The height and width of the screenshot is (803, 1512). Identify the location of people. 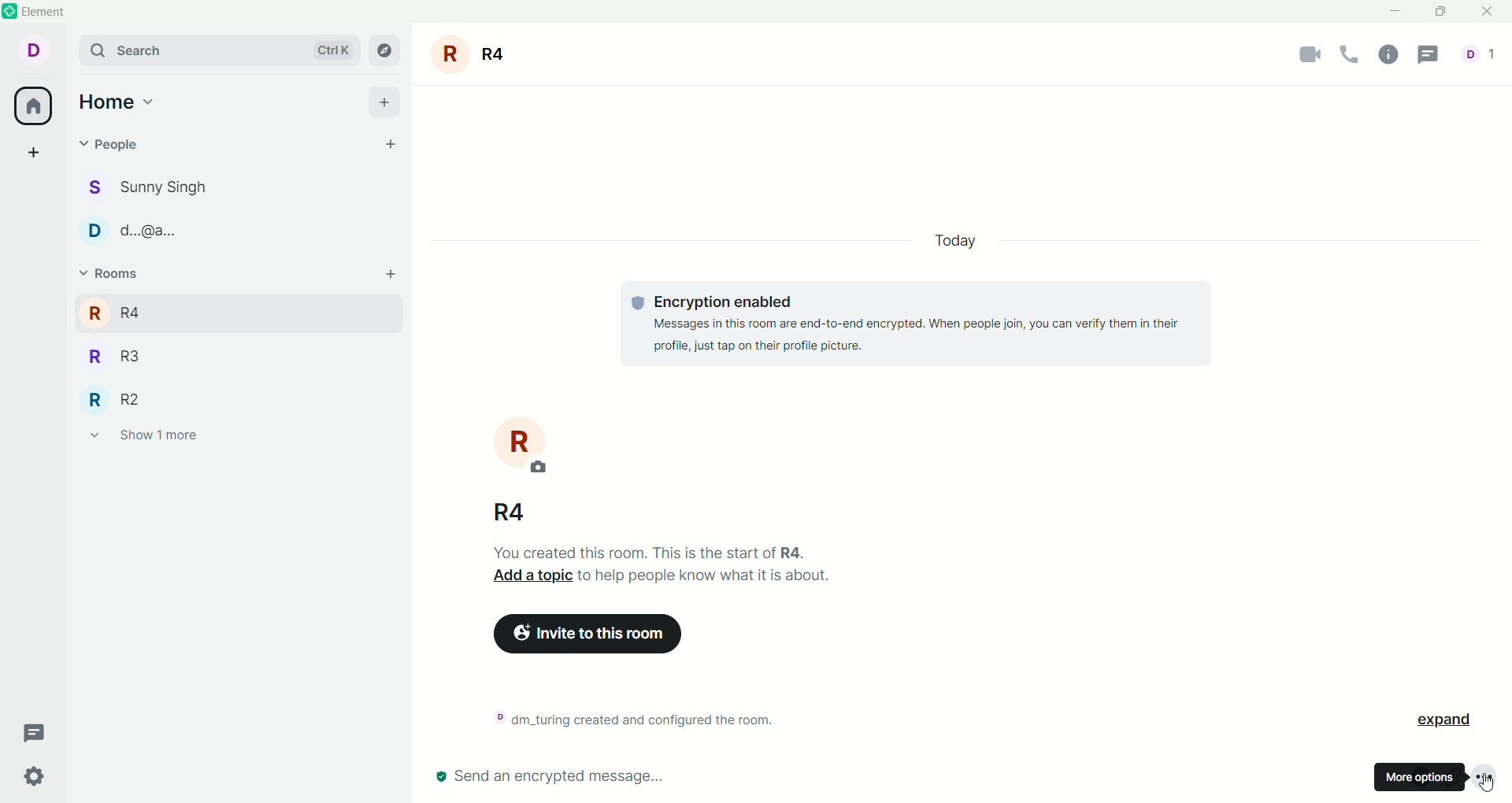
(163, 188).